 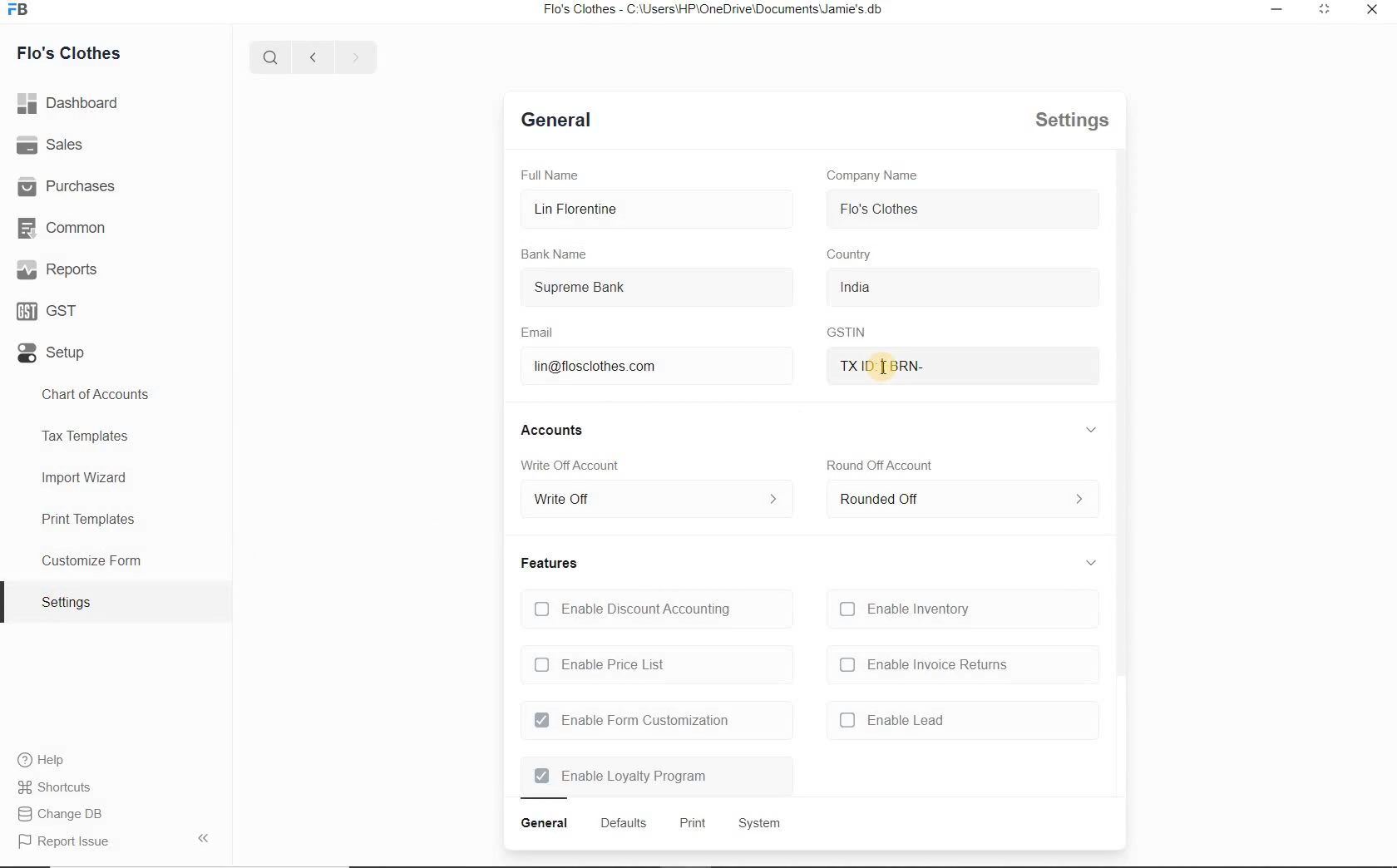 I want to click on settings, so click(x=67, y=601).